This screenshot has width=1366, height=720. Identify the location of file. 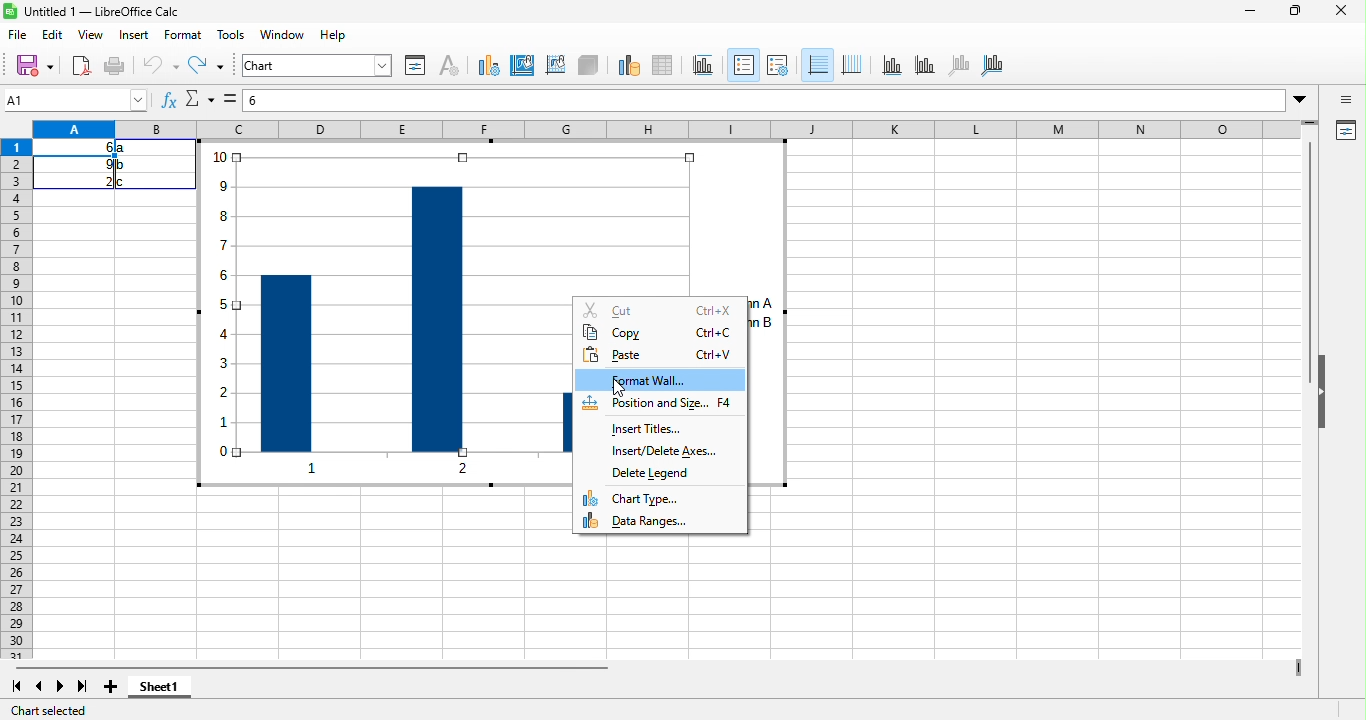
(20, 35).